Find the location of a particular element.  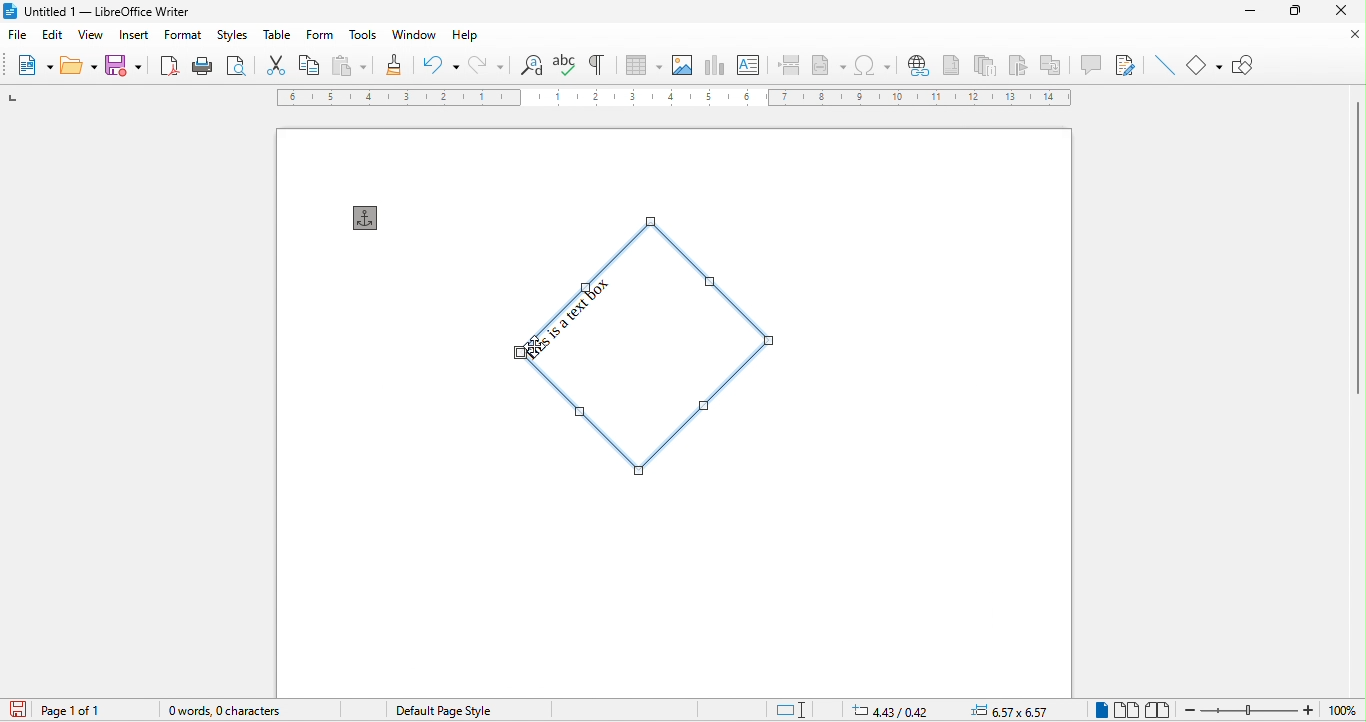

new is located at coordinates (34, 67).